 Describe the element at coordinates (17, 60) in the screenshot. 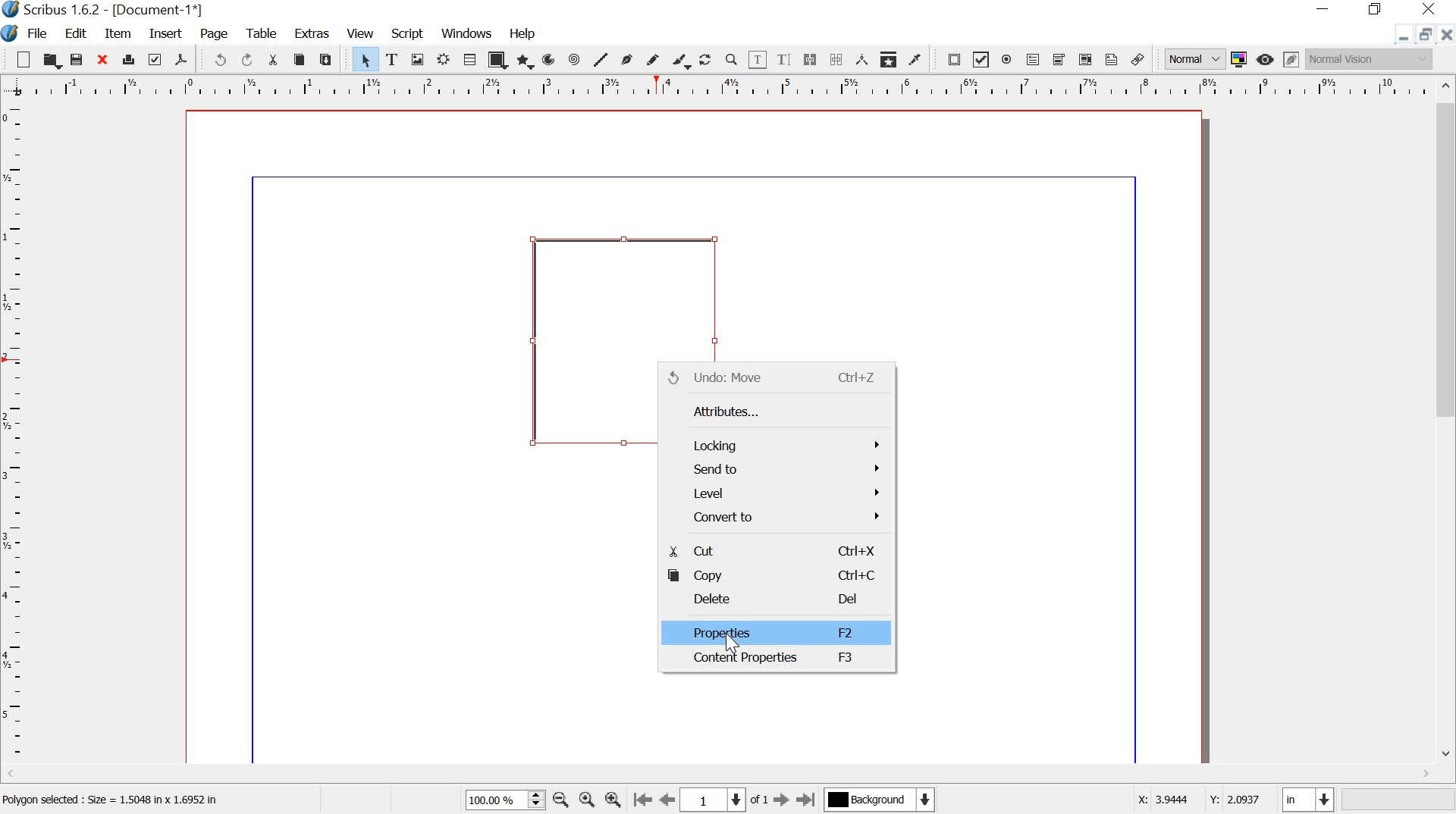

I see `new` at that location.